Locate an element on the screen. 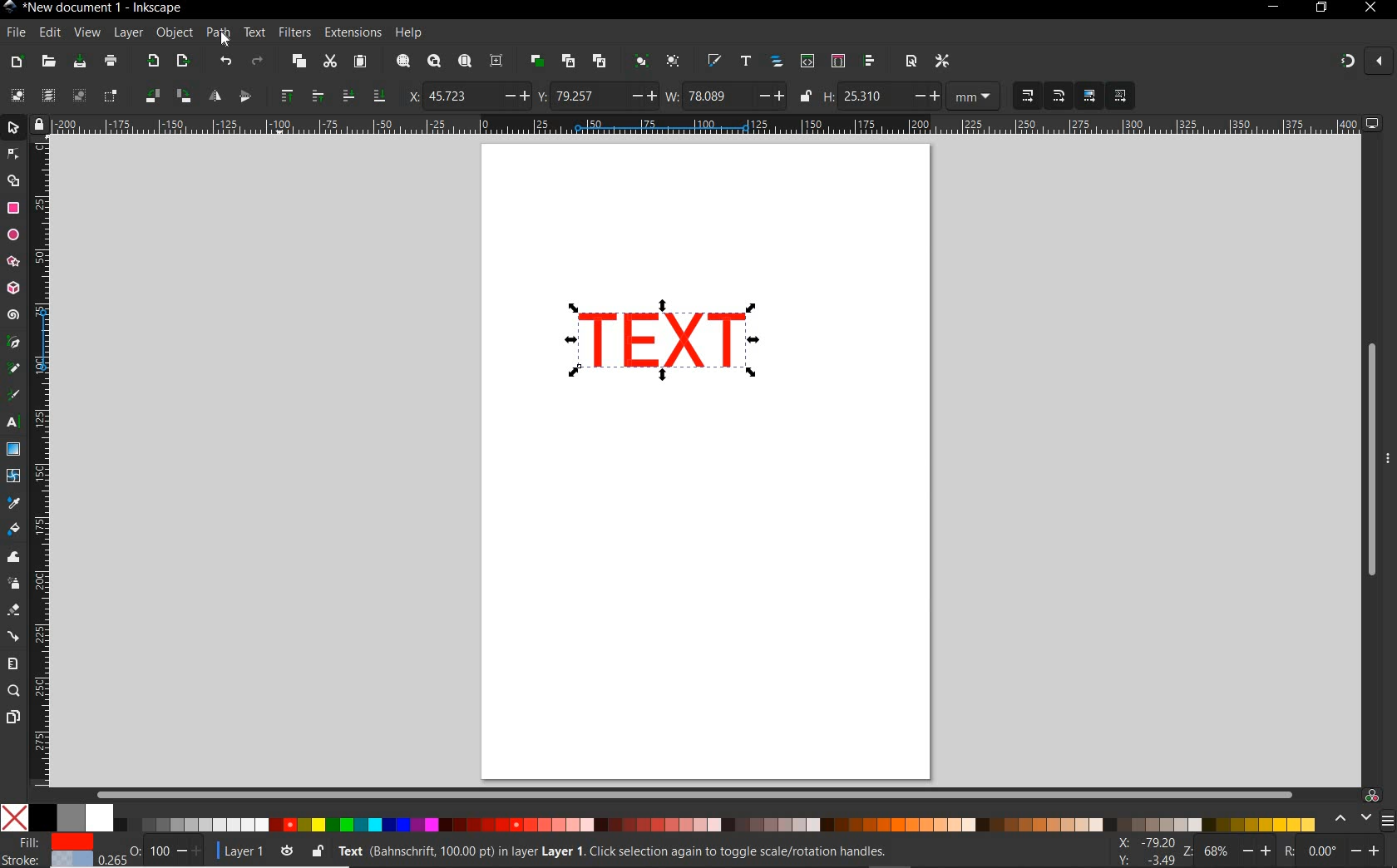  COLOR MANAGED MODE is located at coordinates (1361, 809).